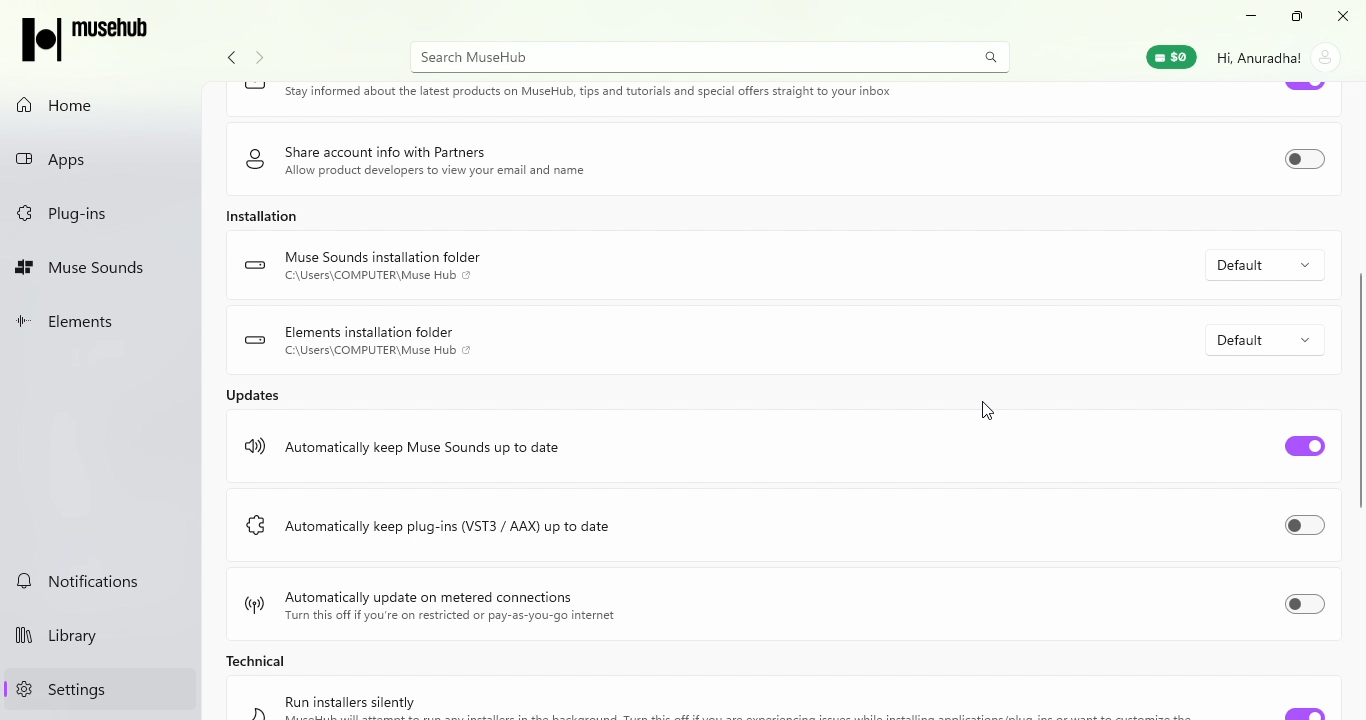 This screenshot has height=720, width=1366. Describe the element at coordinates (256, 524) in the screenshot. I see `logo` at that location.